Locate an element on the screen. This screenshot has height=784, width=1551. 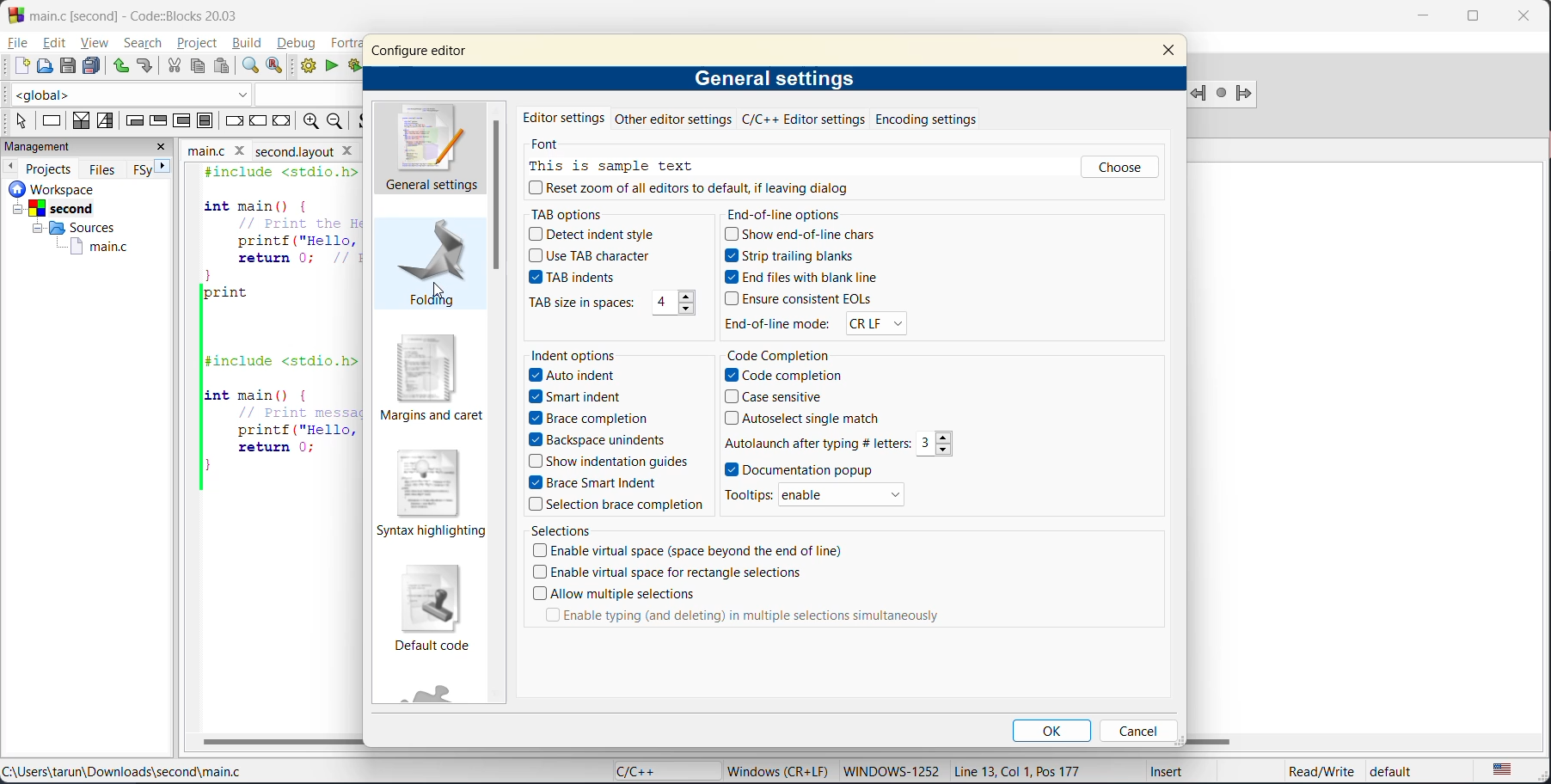
projects is located at coordinates (51, 167).